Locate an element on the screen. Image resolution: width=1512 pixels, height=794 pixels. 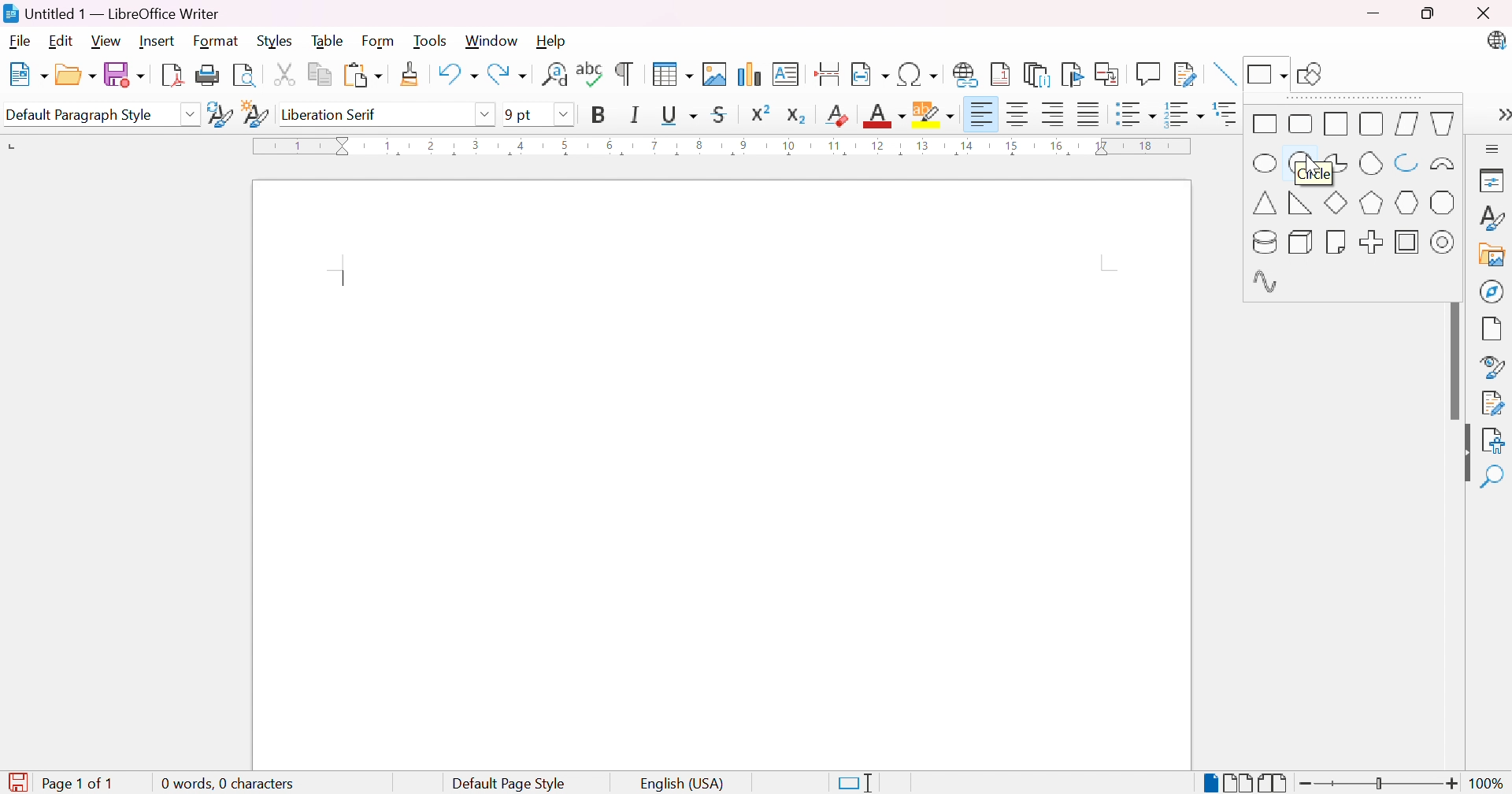
Insert comment is located at coordinates (1151, 73).